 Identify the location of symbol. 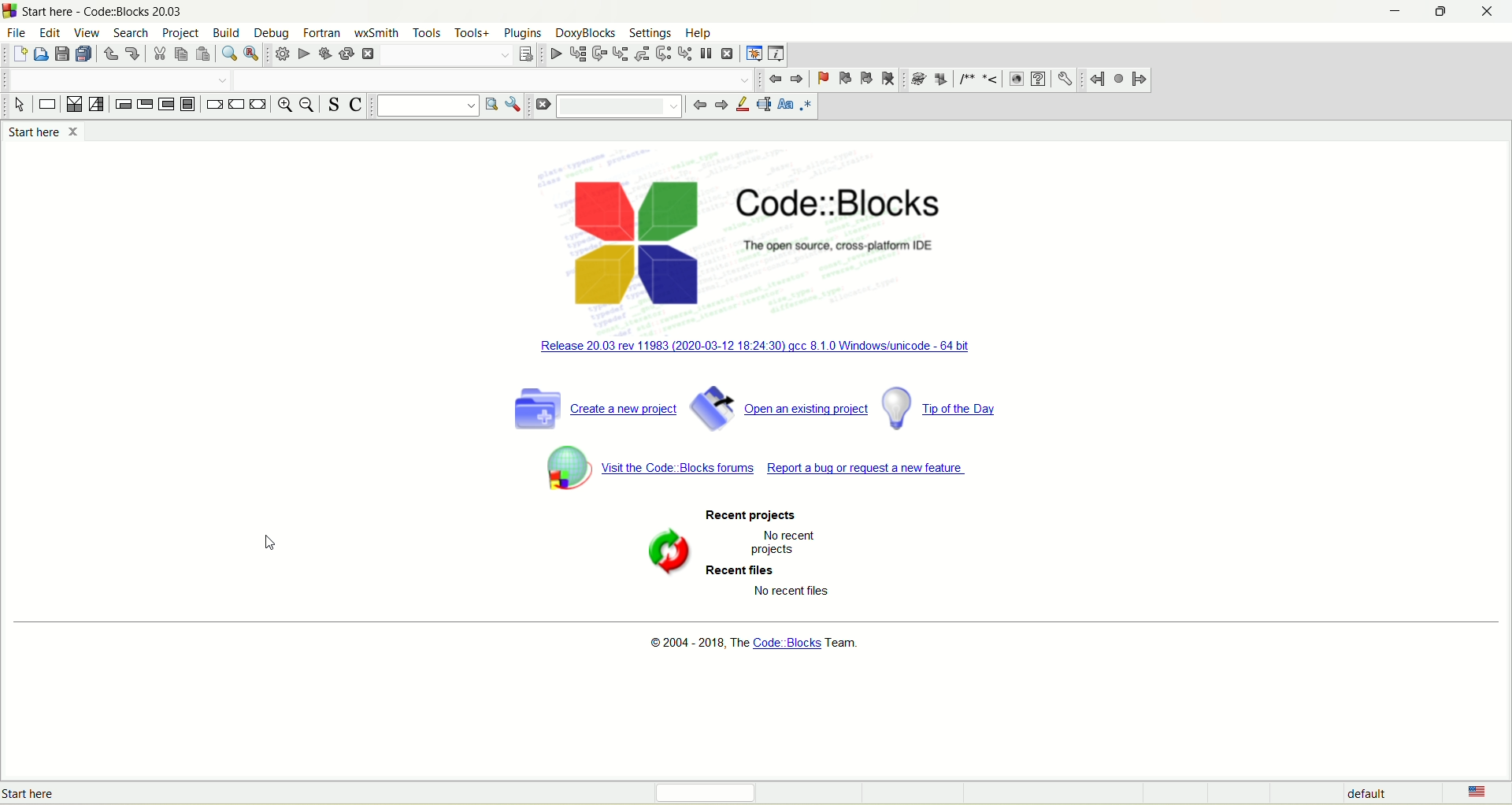
(568, 467).